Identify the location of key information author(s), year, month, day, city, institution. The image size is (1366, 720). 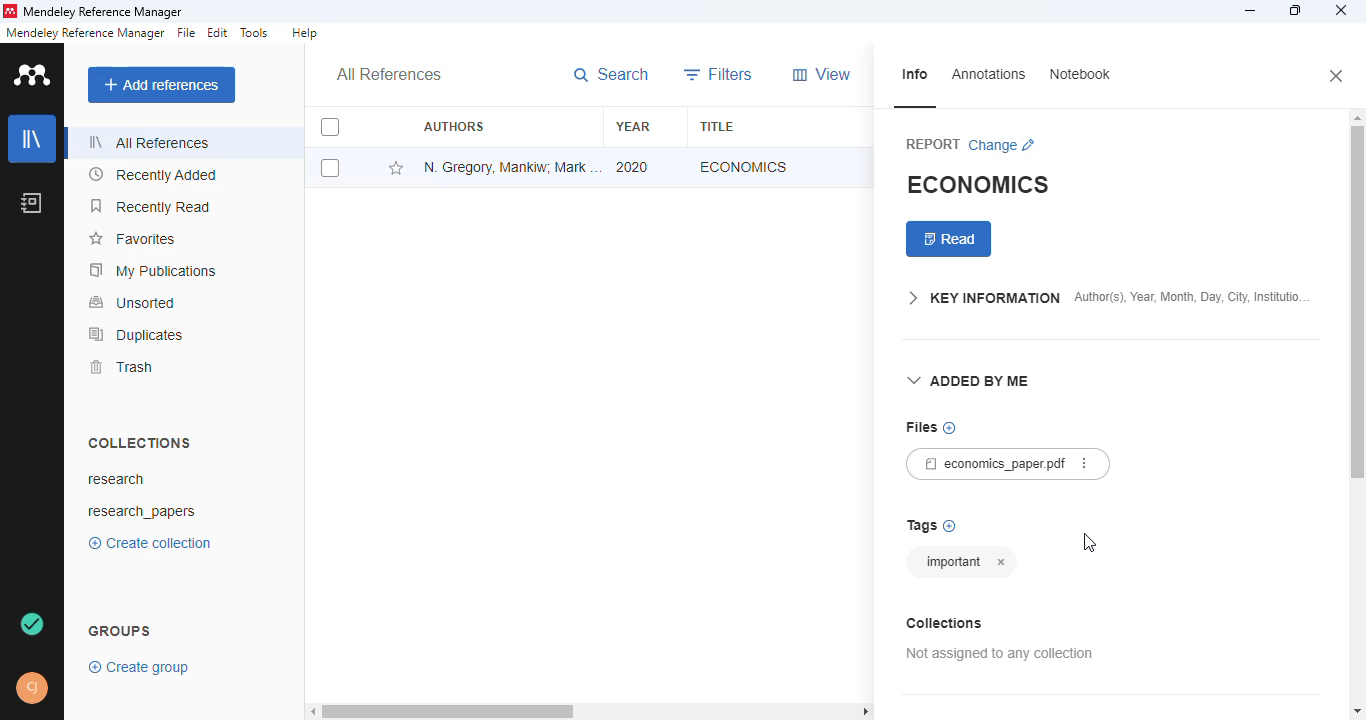
(1108, 300).